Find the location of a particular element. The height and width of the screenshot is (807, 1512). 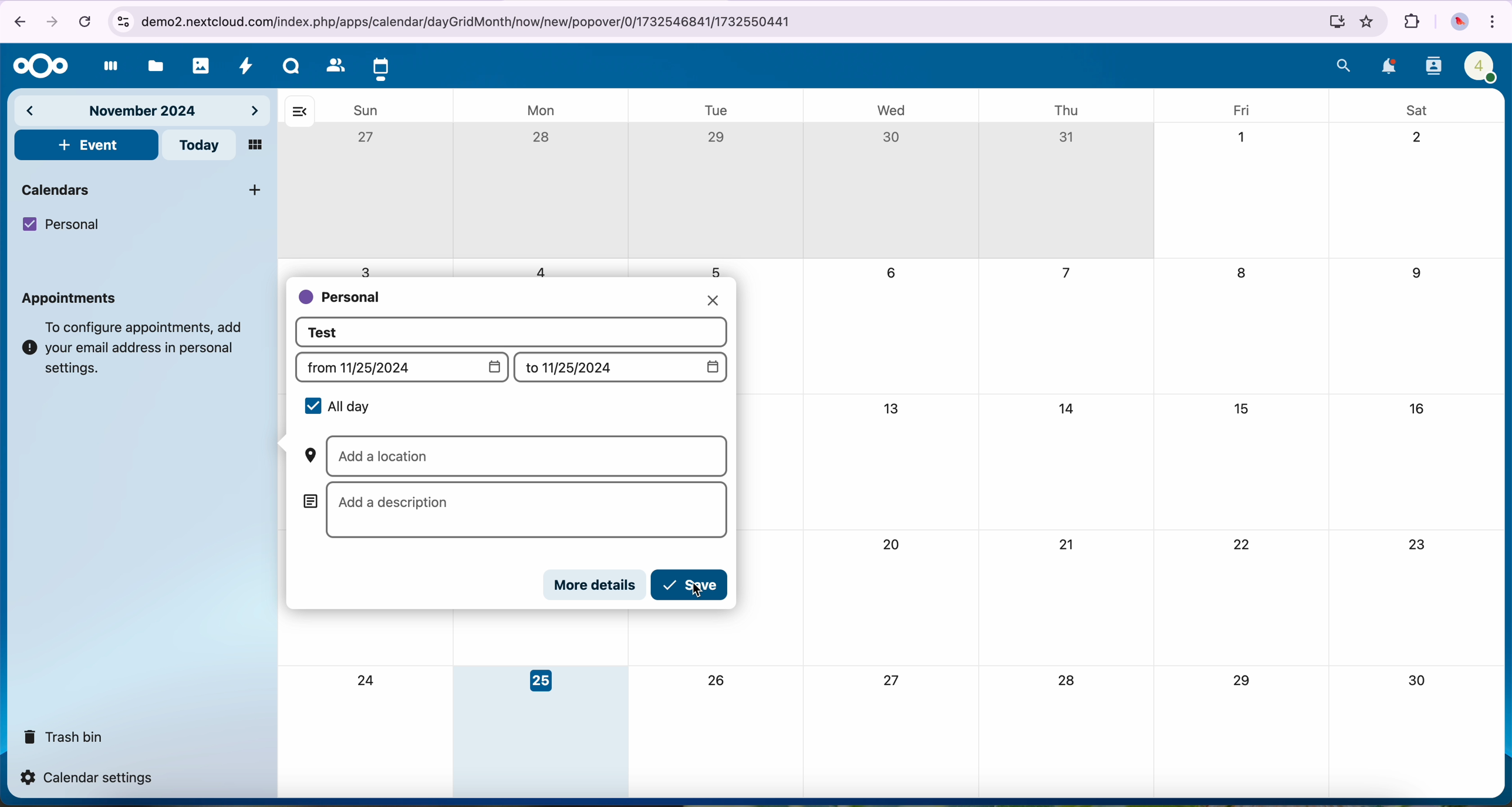

21 is located at coordinates (1069, 543).